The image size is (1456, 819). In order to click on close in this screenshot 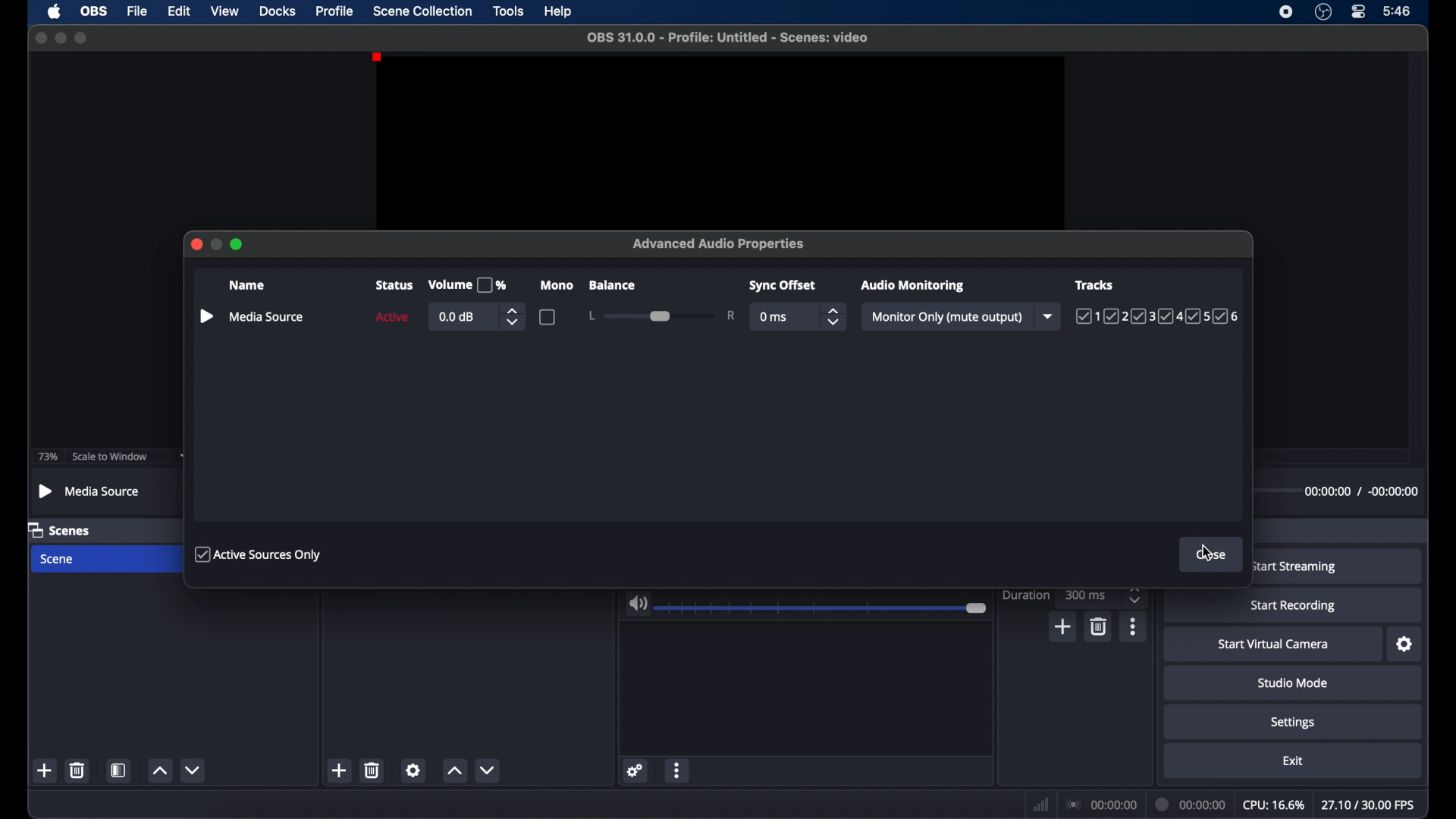, I will do `click(196, 244)`.